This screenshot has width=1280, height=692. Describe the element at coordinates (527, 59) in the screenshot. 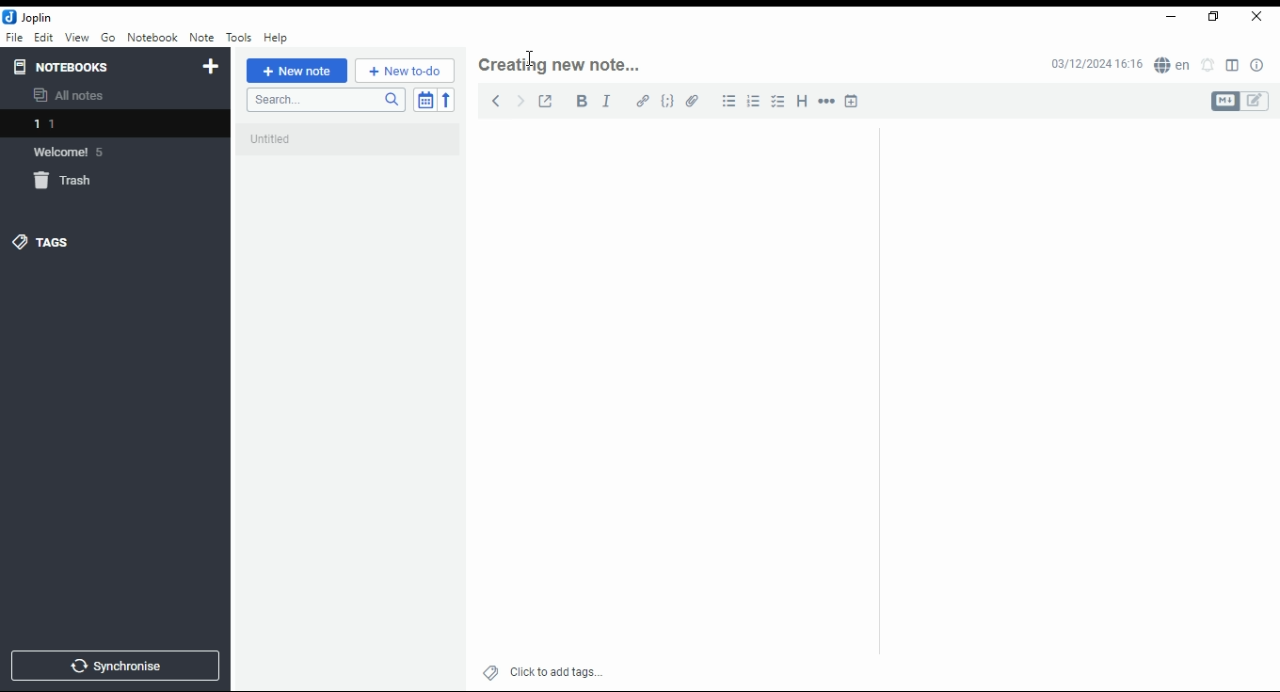

I see `mouse pointer` at that location.